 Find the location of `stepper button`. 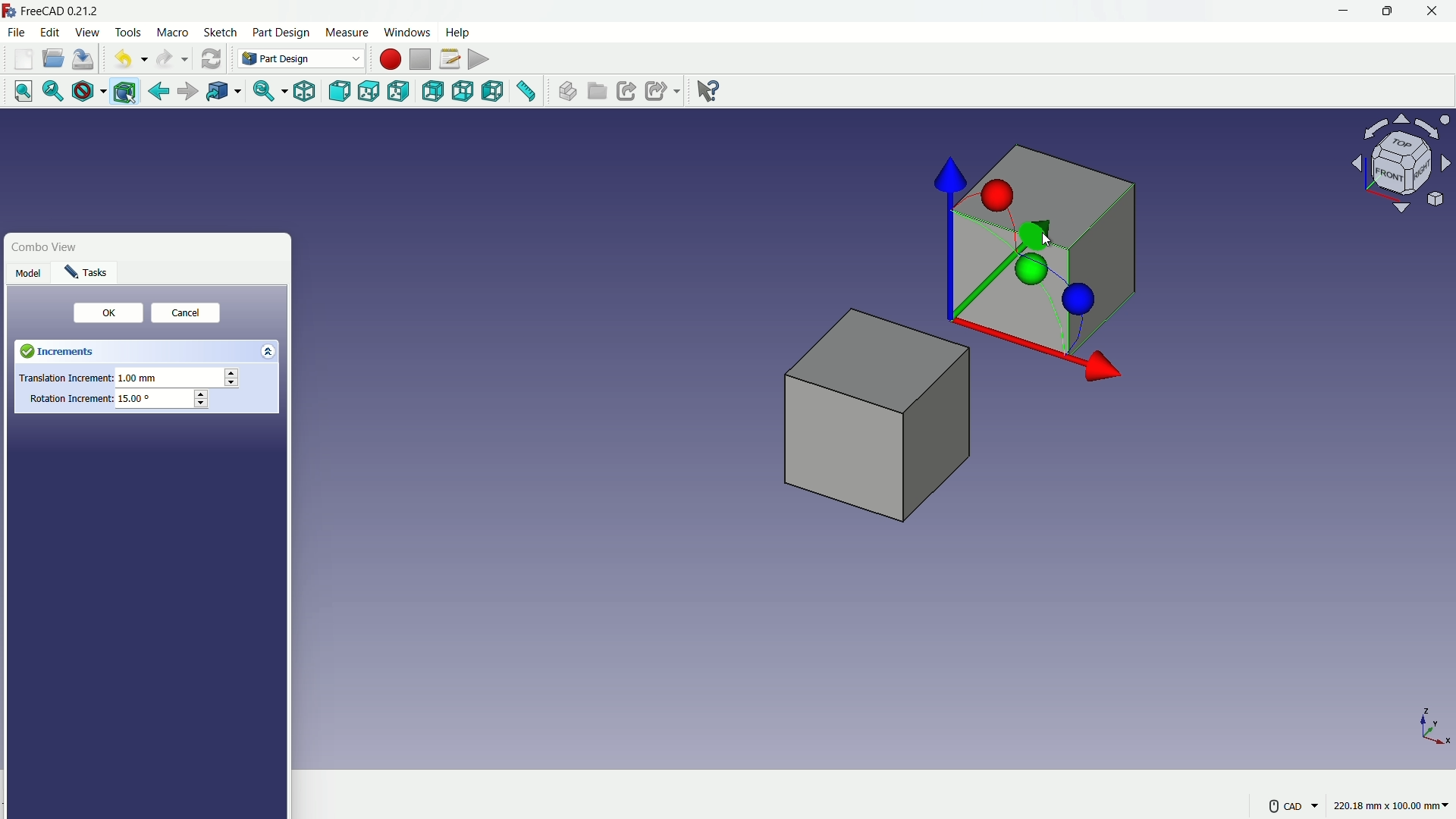

stepper button is located at coordinates (200, 400).